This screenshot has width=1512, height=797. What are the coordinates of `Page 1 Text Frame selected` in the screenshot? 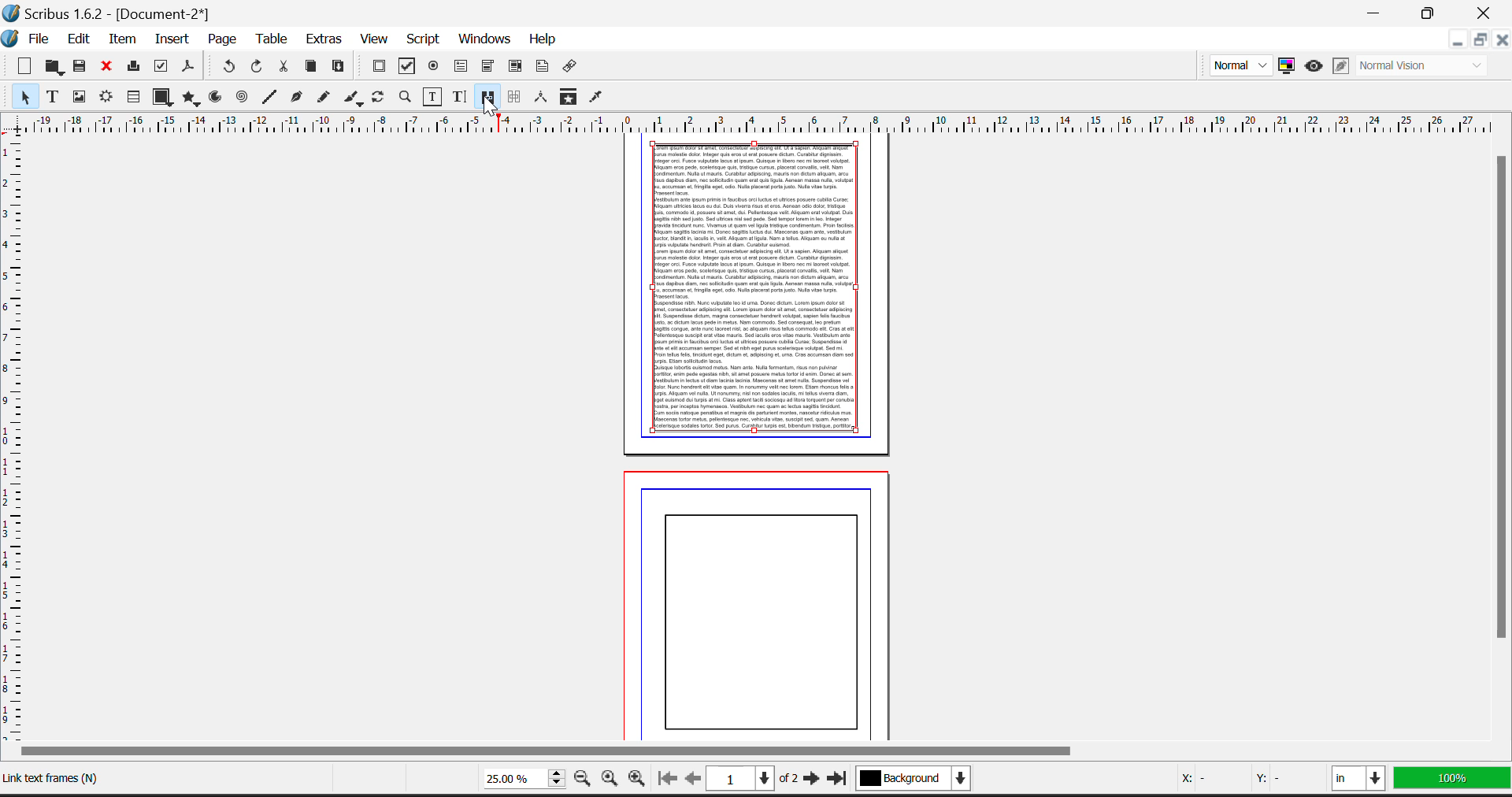 It's located at (758, 287).